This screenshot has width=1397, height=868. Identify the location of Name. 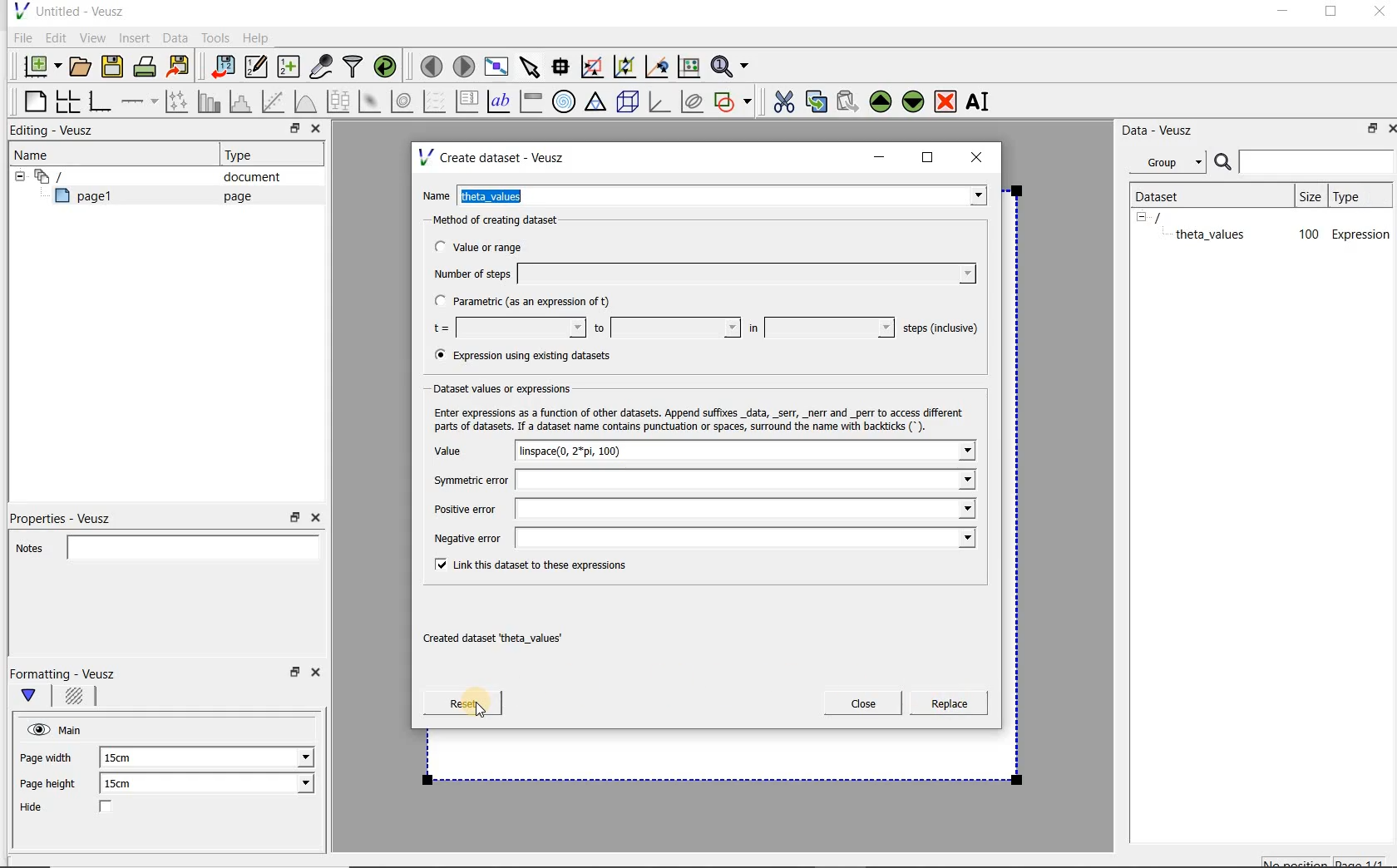
(37, 154).